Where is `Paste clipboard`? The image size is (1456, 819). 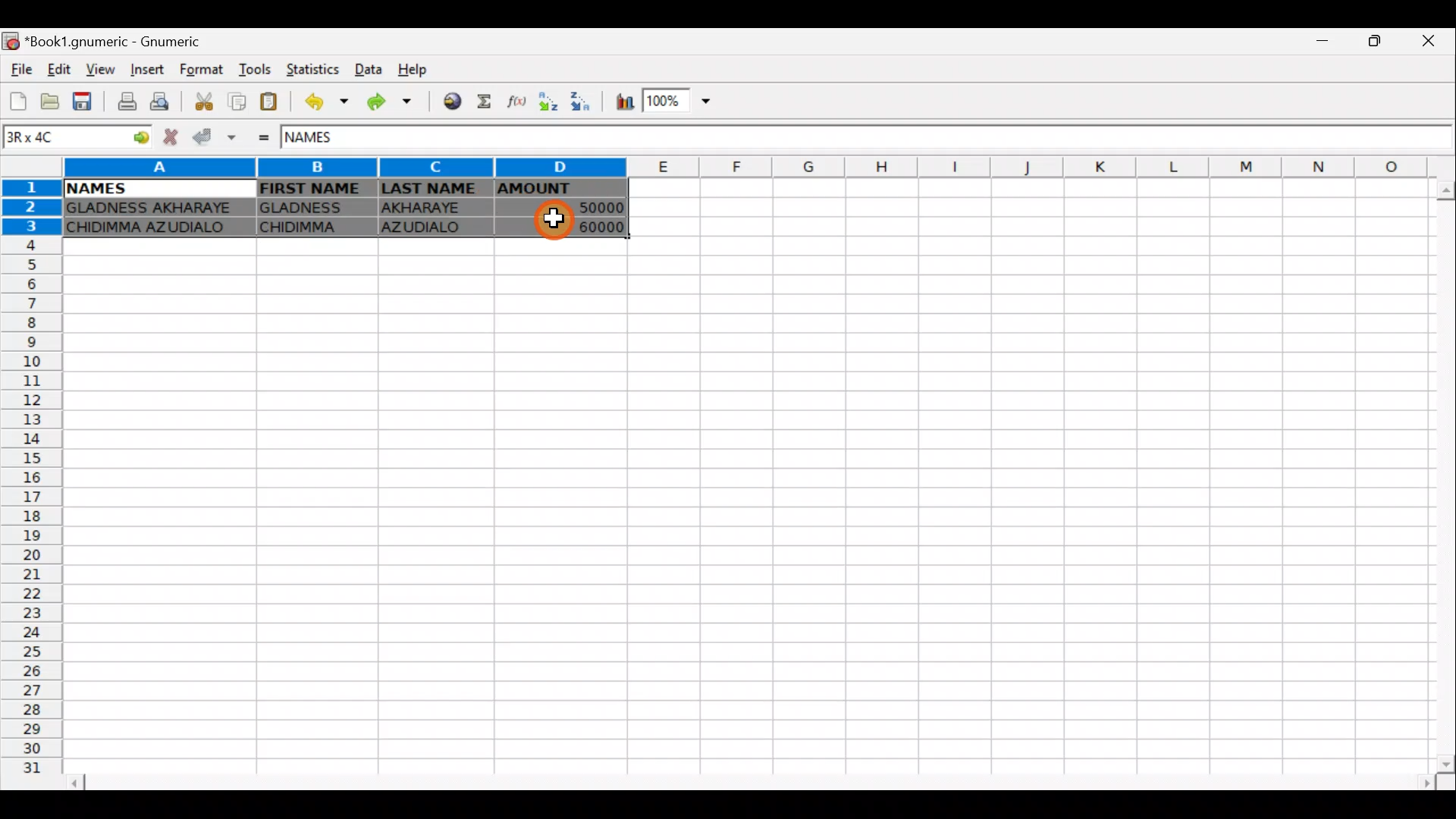 Paste clipboard is located at coordinates (268, 103).